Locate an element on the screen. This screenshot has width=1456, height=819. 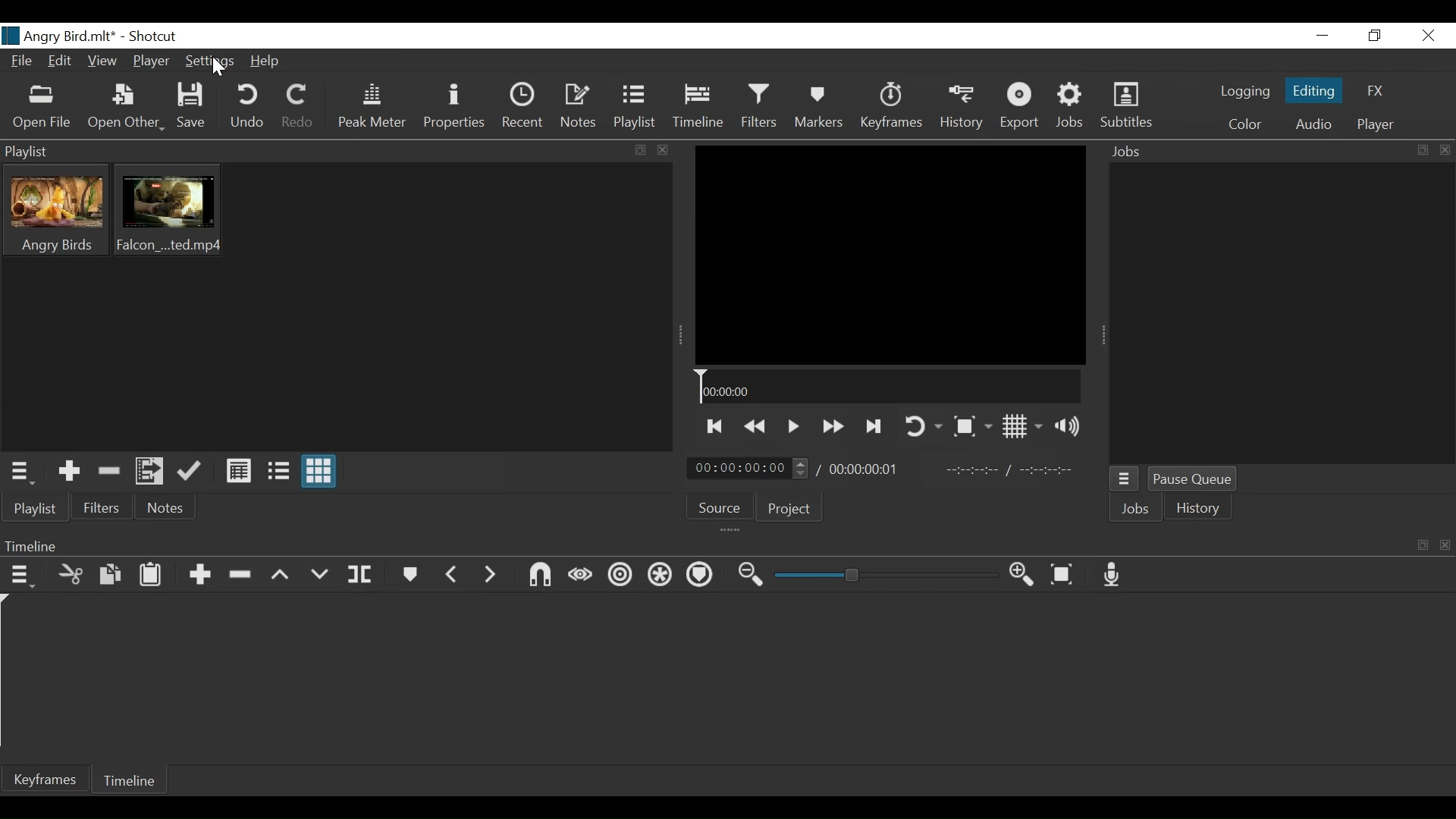
Jobs Menu is located at coordinates (1123, 479).